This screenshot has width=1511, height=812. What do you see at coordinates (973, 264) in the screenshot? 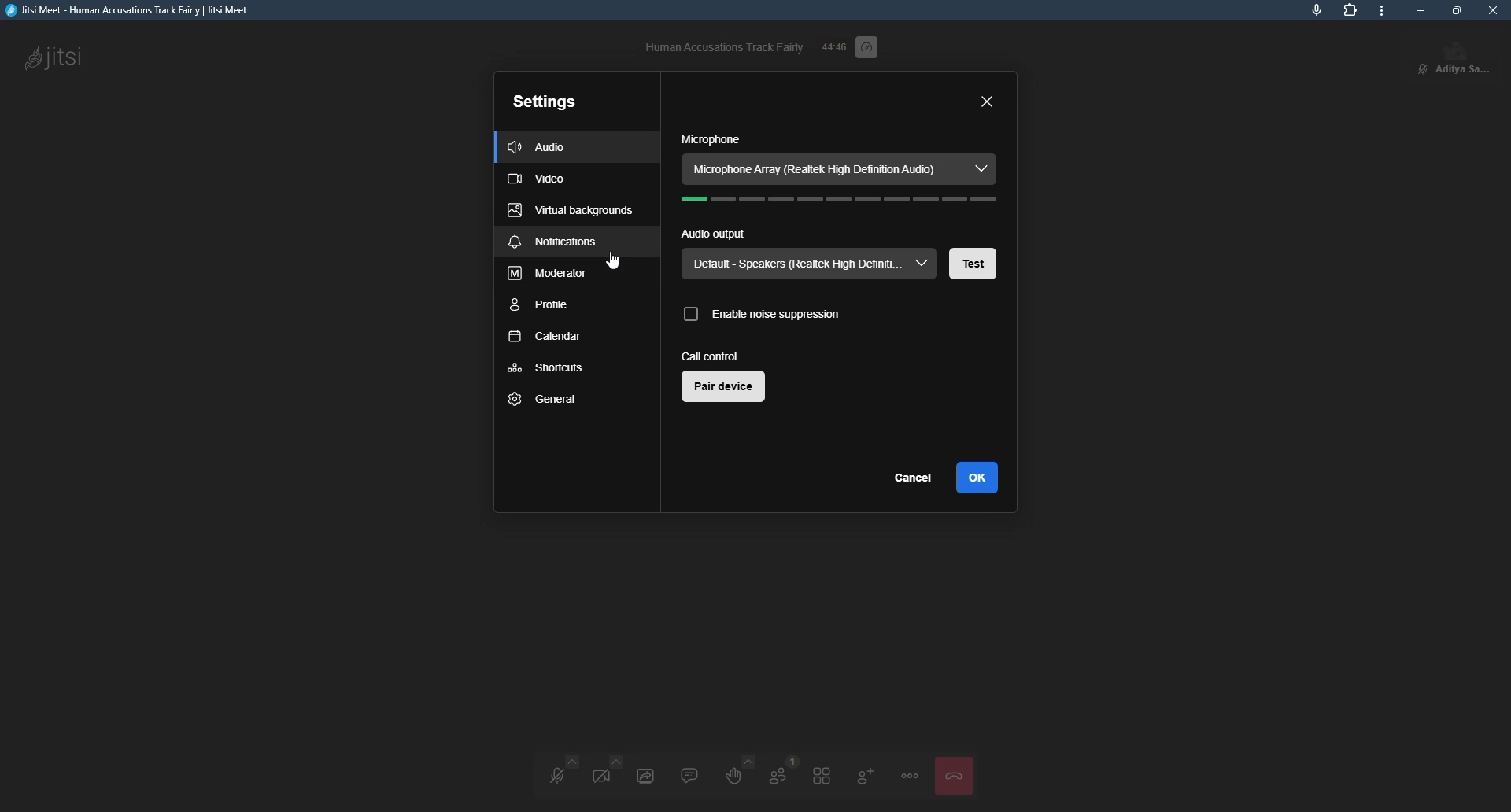
I see `test` at bounding box center [973, 264].